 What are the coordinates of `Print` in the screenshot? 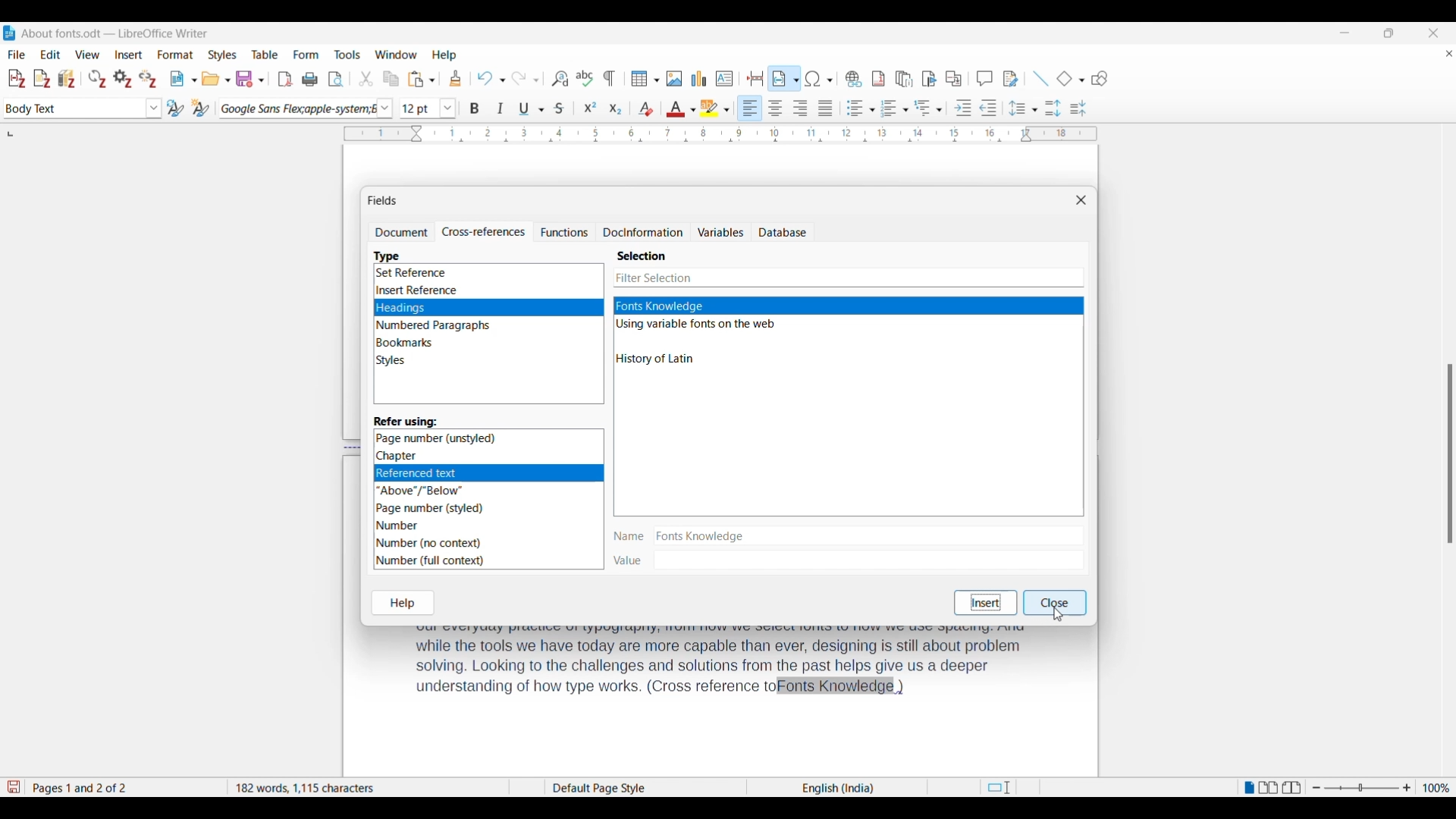 It's located at (309, 80).